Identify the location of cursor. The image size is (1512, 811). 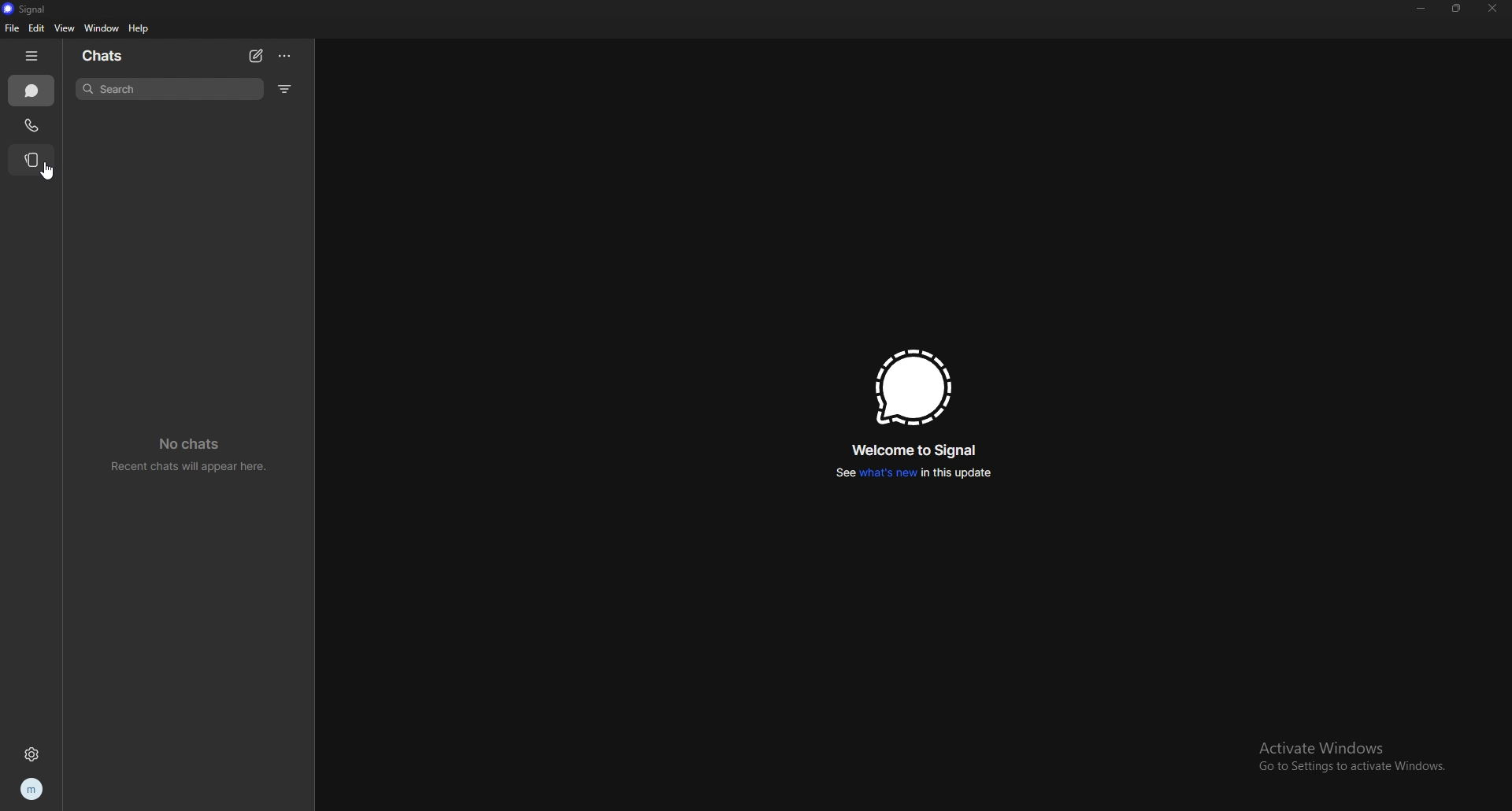
(49, 175).